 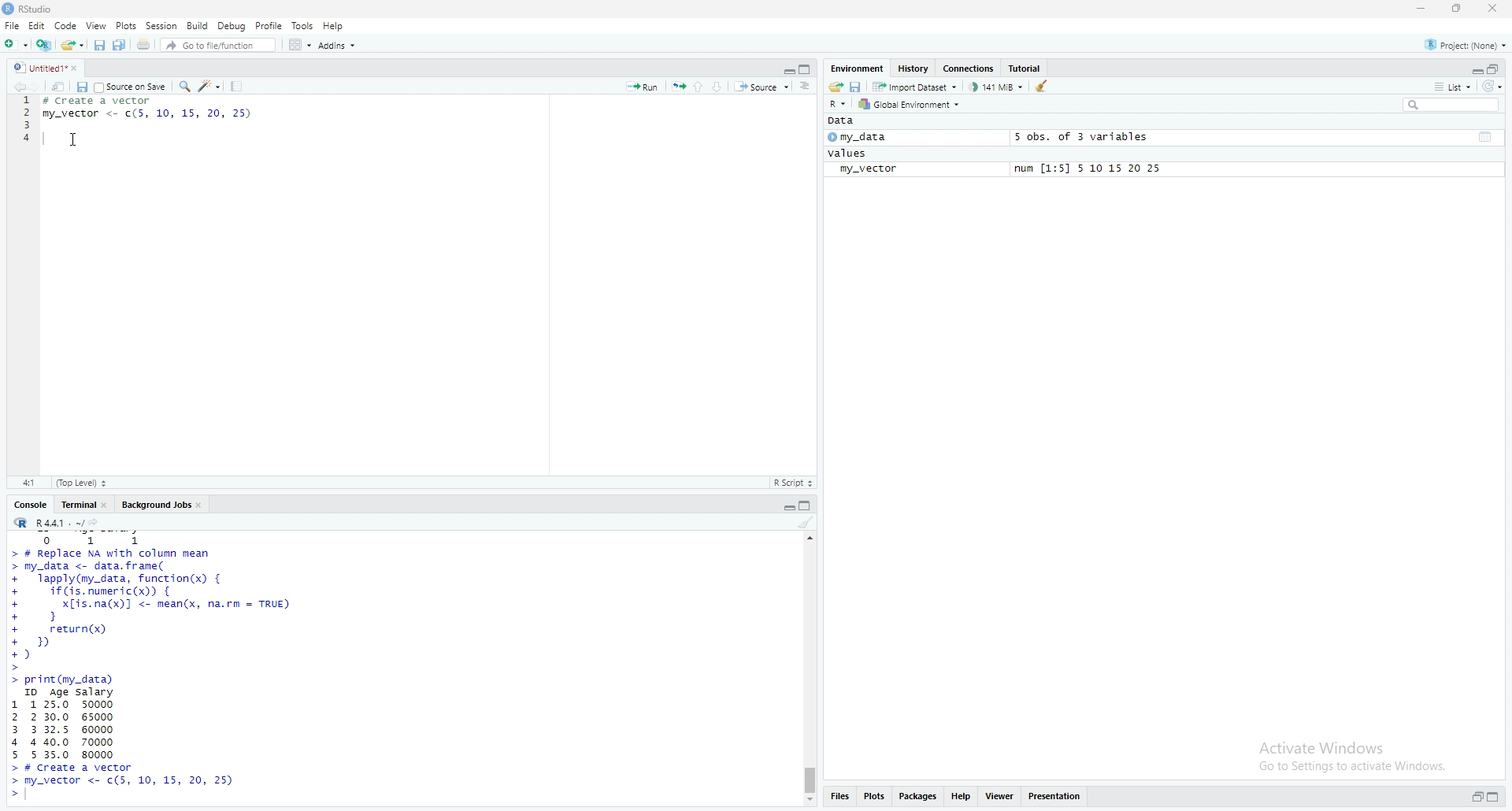 I want to click on line numbers, so click(x=23, y=127).